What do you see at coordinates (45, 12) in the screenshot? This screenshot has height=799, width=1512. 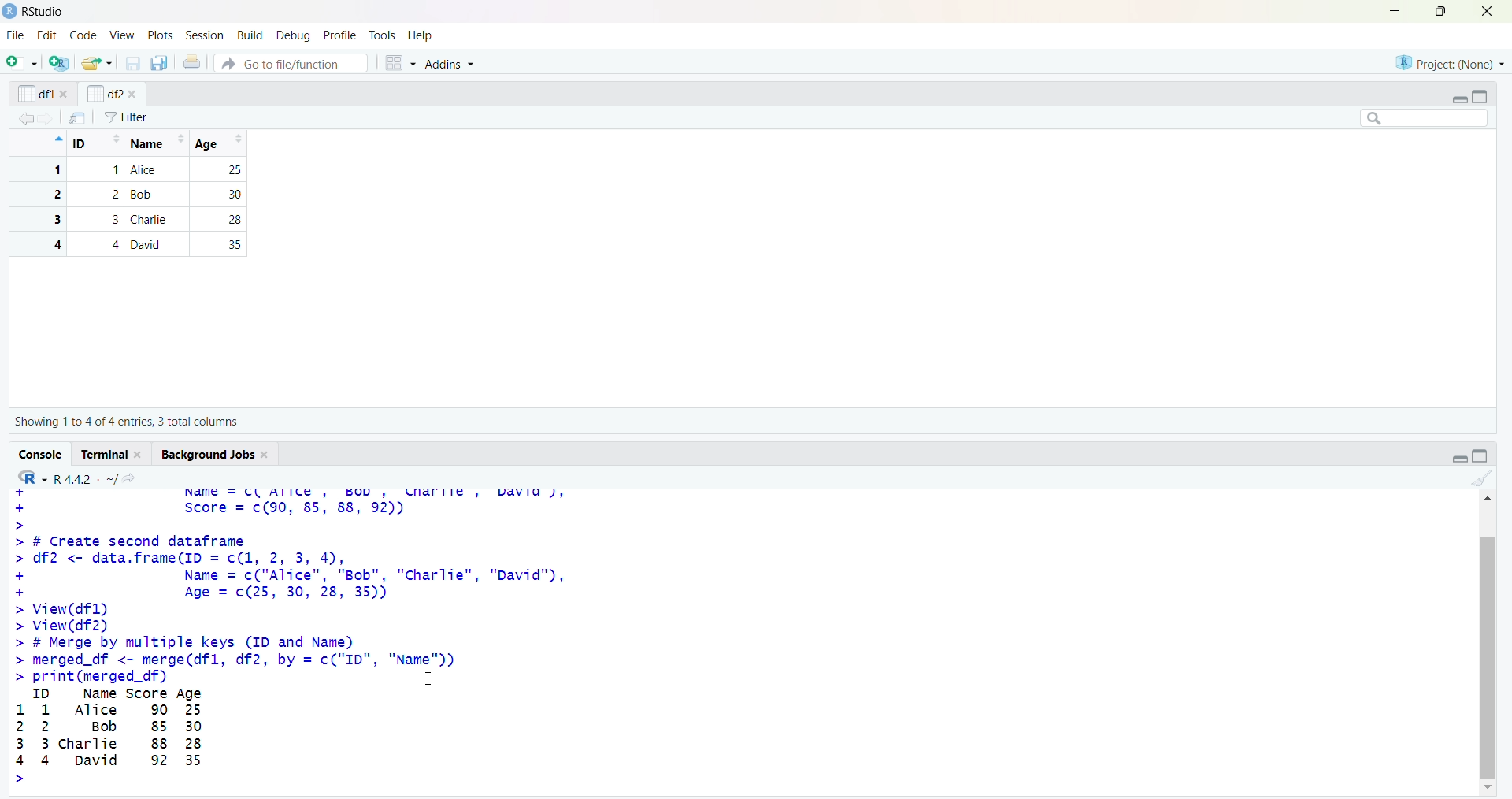 I see `RStudio` at bounding box center [45, 12].